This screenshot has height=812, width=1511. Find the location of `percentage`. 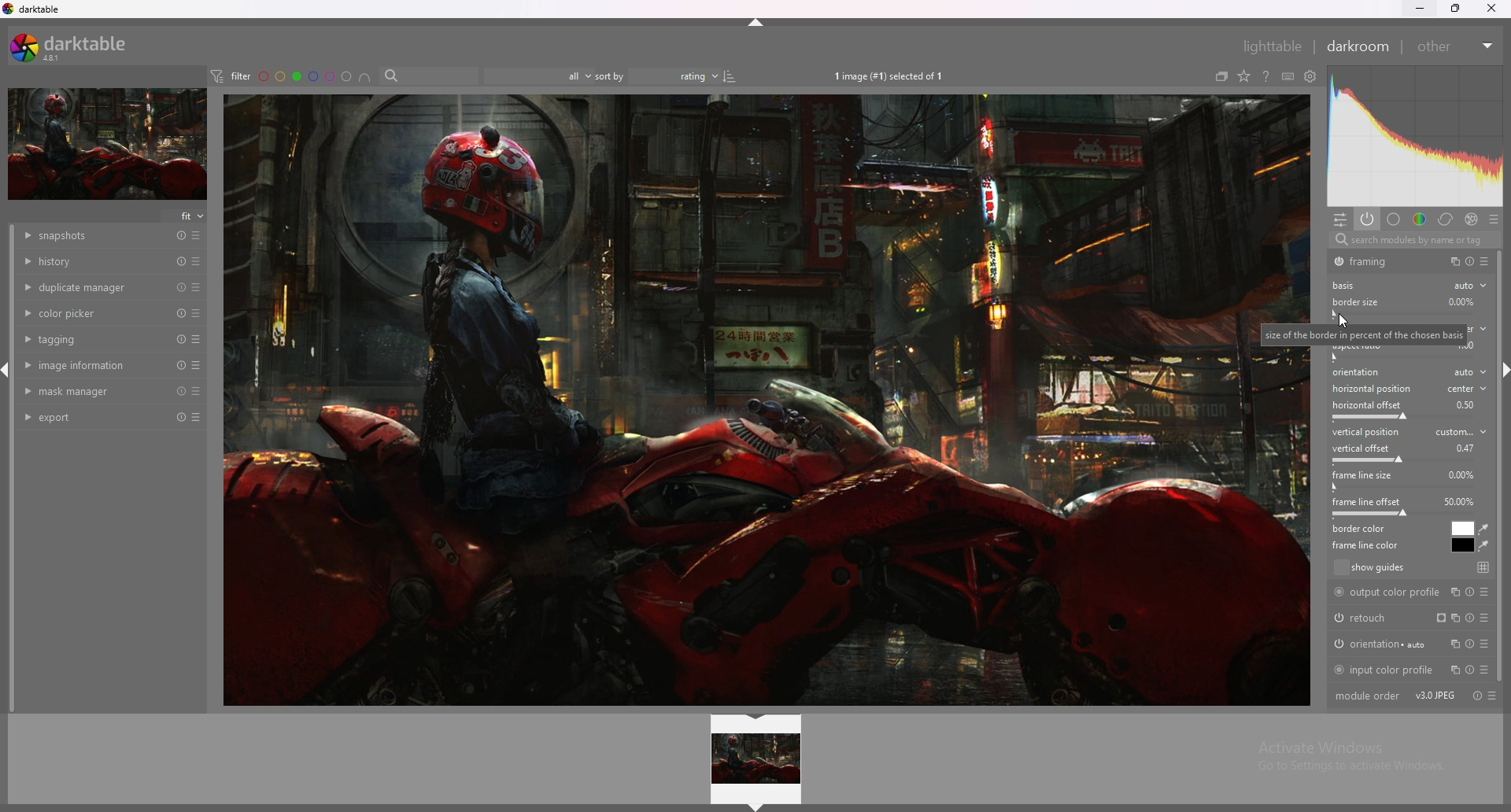

percentage is located at coordinates (1464, 474).